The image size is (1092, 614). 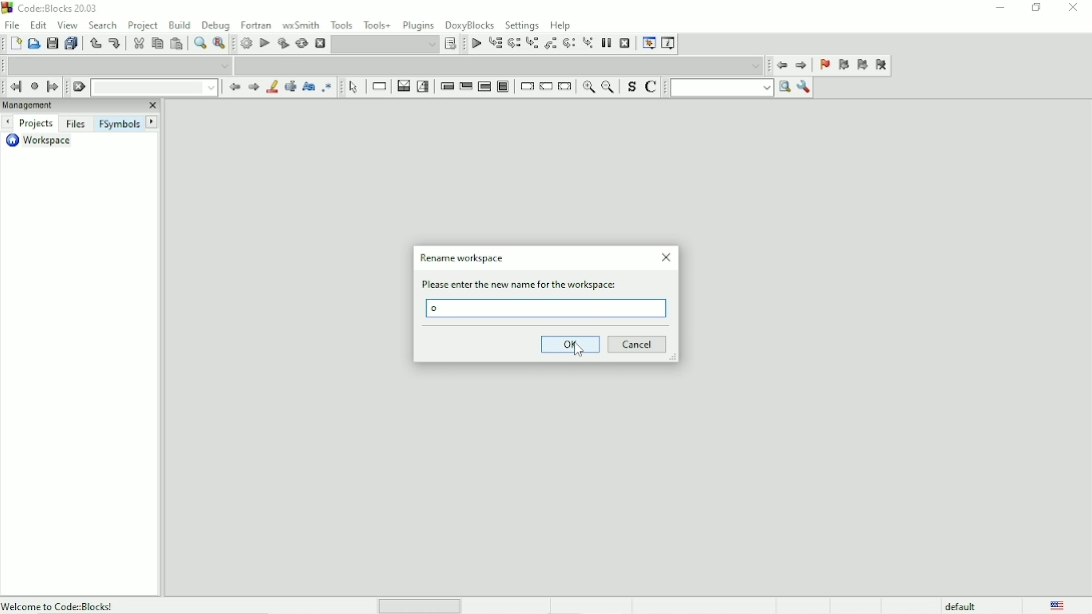 I want to click on OK, so click(x=569, y=343).